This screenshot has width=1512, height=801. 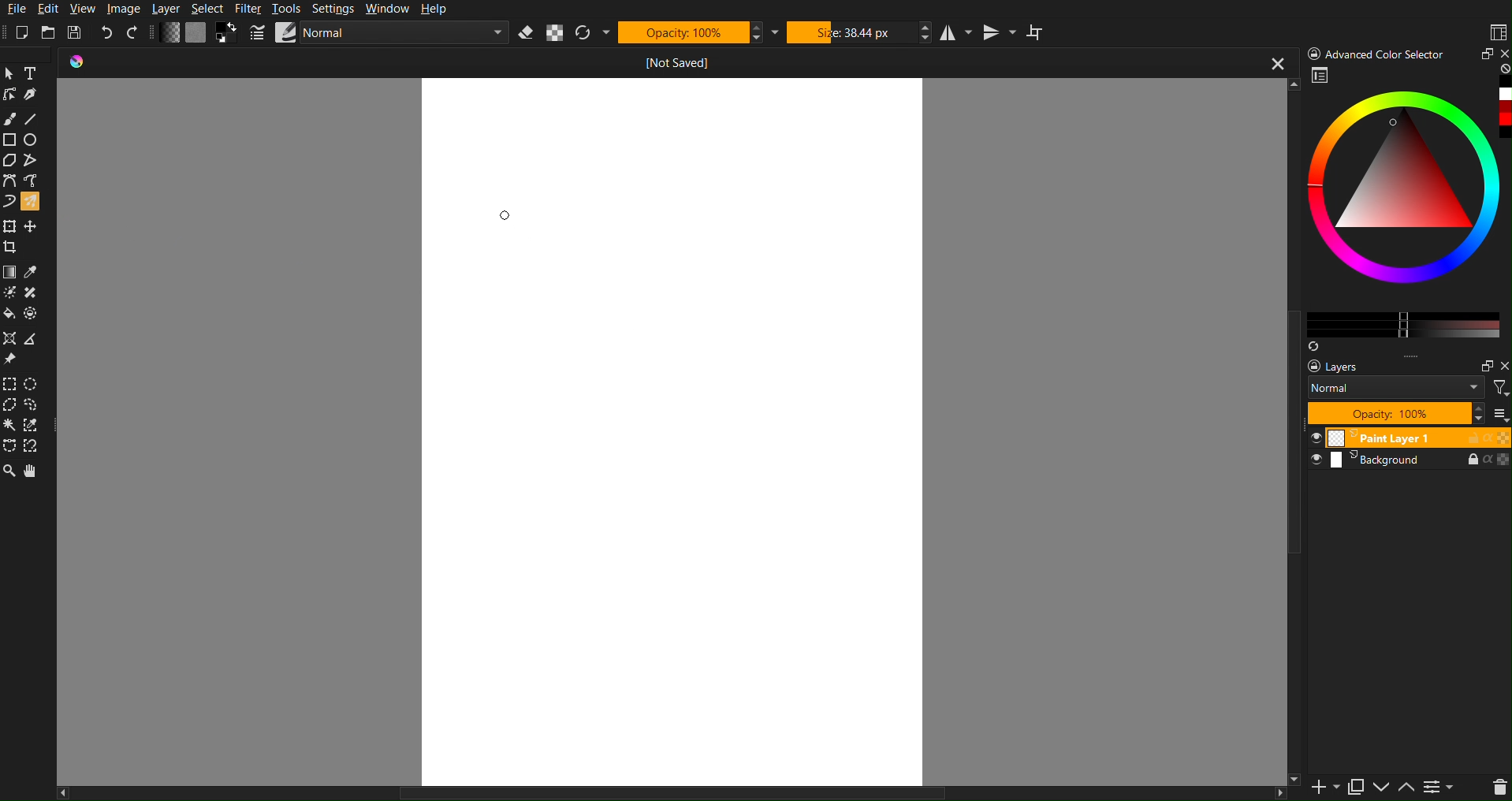 What do you see at coordinates (35, 472) in the screenshot?
I see `Pan` at bounding box center [35, 472].